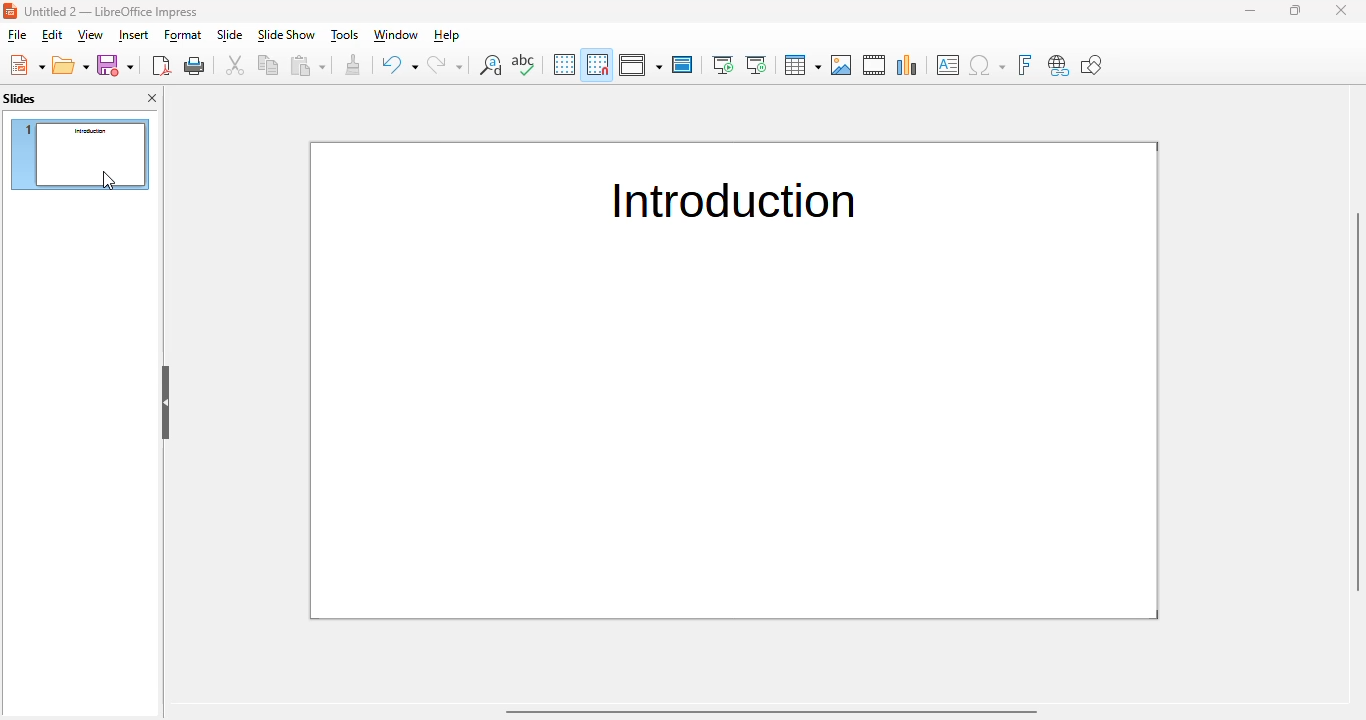 The width and height of the screenshot is (1366, 720). I want to click on format, so click(184, 35).